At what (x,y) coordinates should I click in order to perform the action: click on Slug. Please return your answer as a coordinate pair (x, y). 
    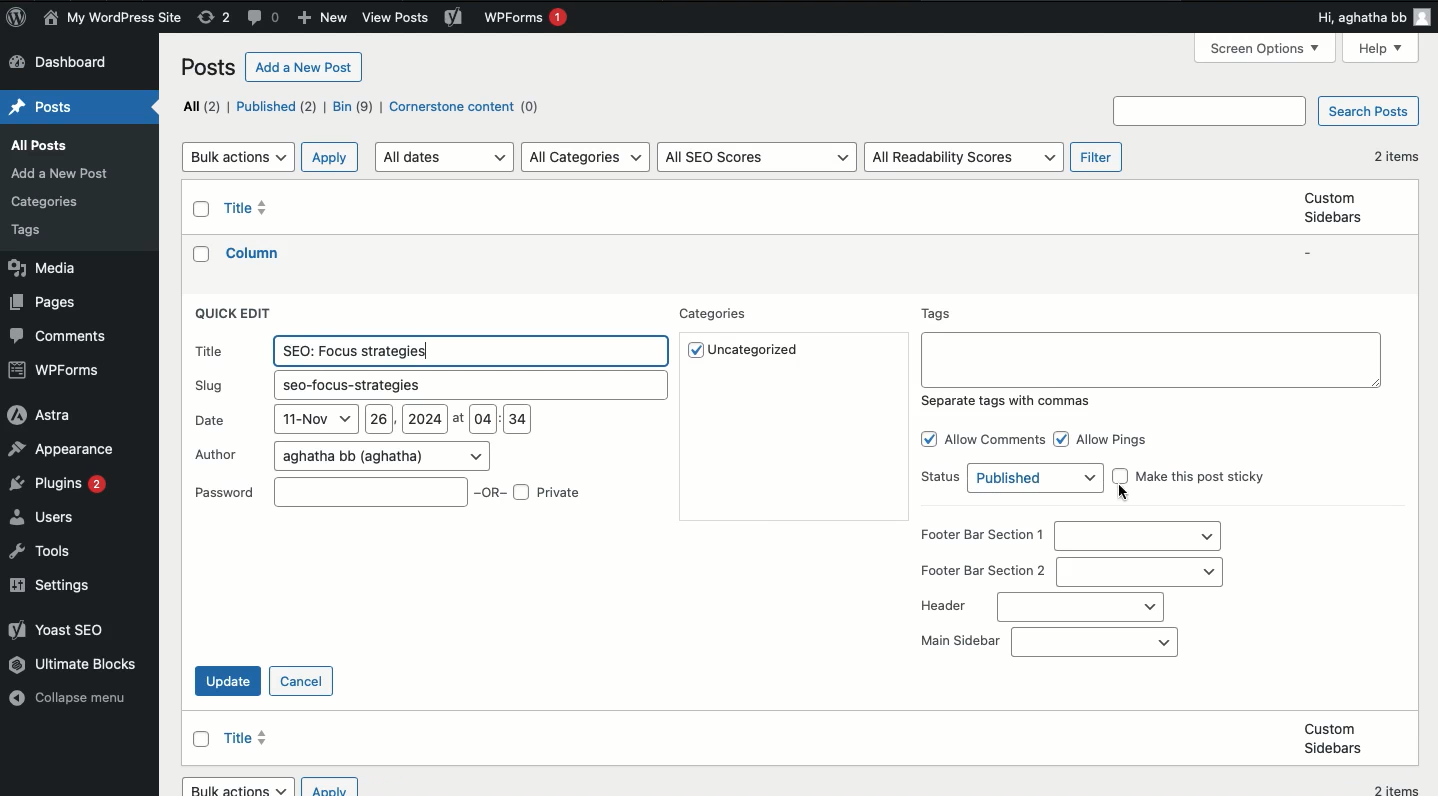
    Looking at the image, I should click on (211, 386).